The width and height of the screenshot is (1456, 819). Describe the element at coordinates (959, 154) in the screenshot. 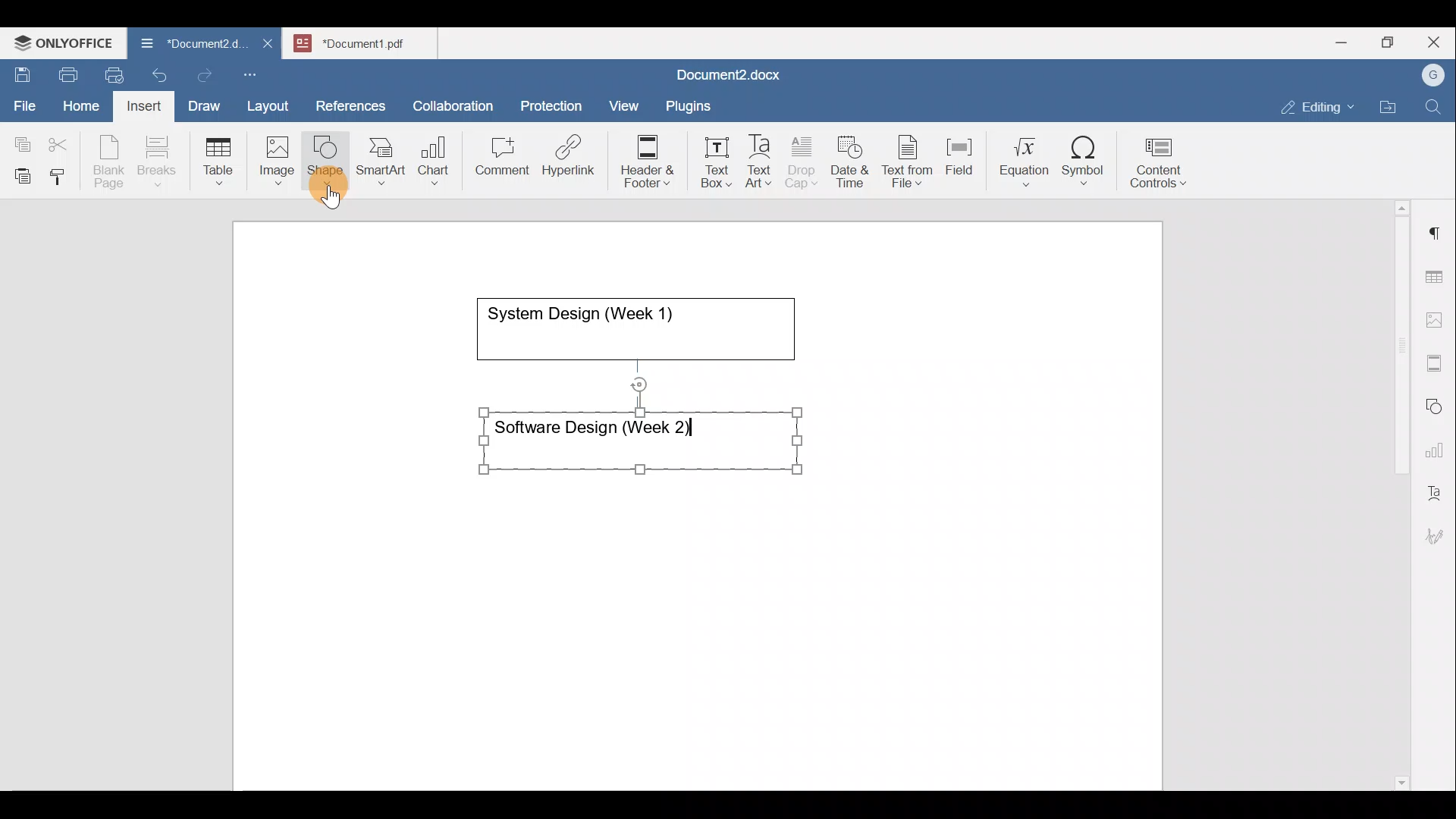

I see `Field` at that location.